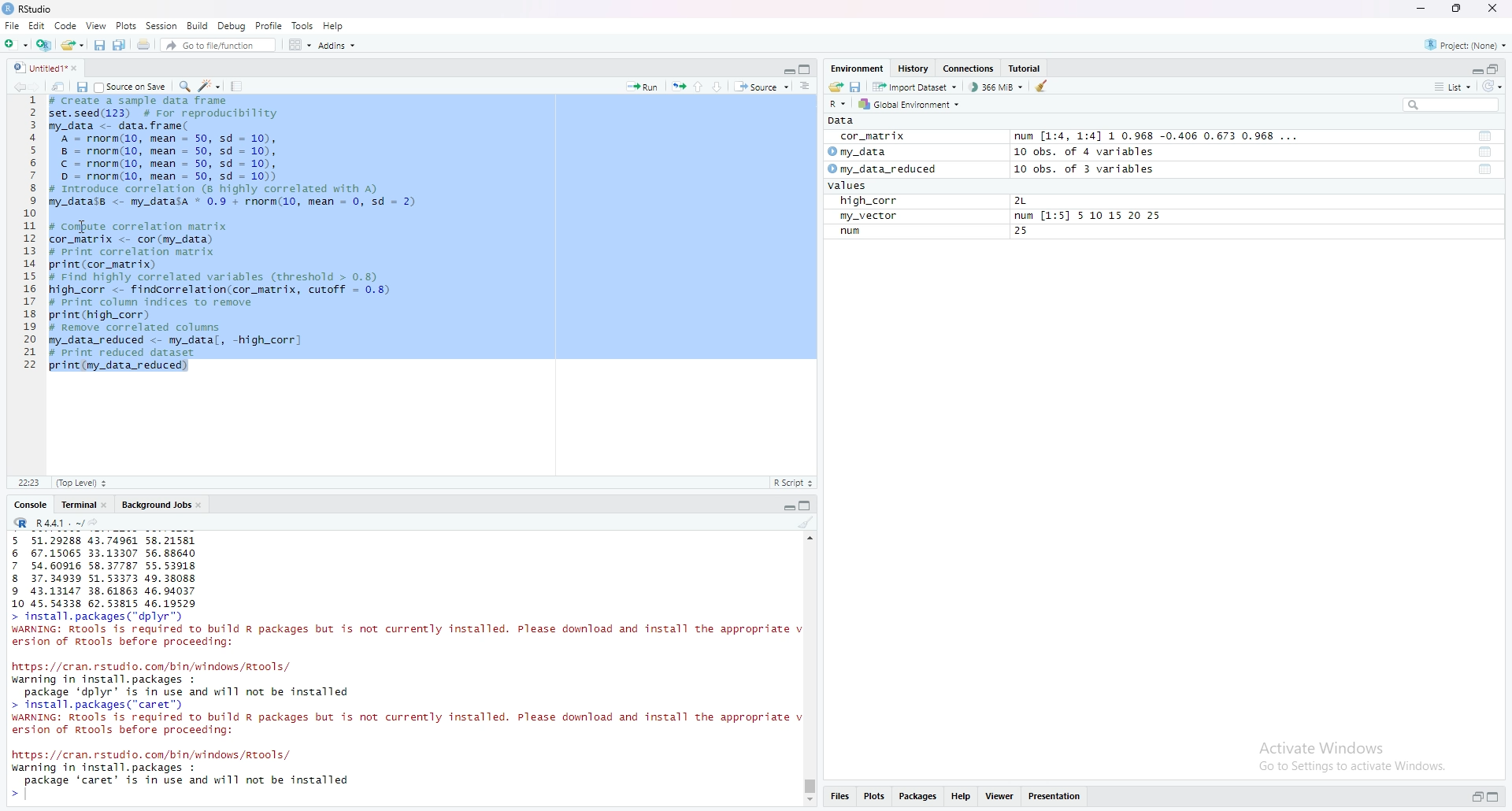 The width and height of the screenshot is (1512, 811). Describe the element at coordinates (302, 46) in the screenshot. I see `Grid` at that location.